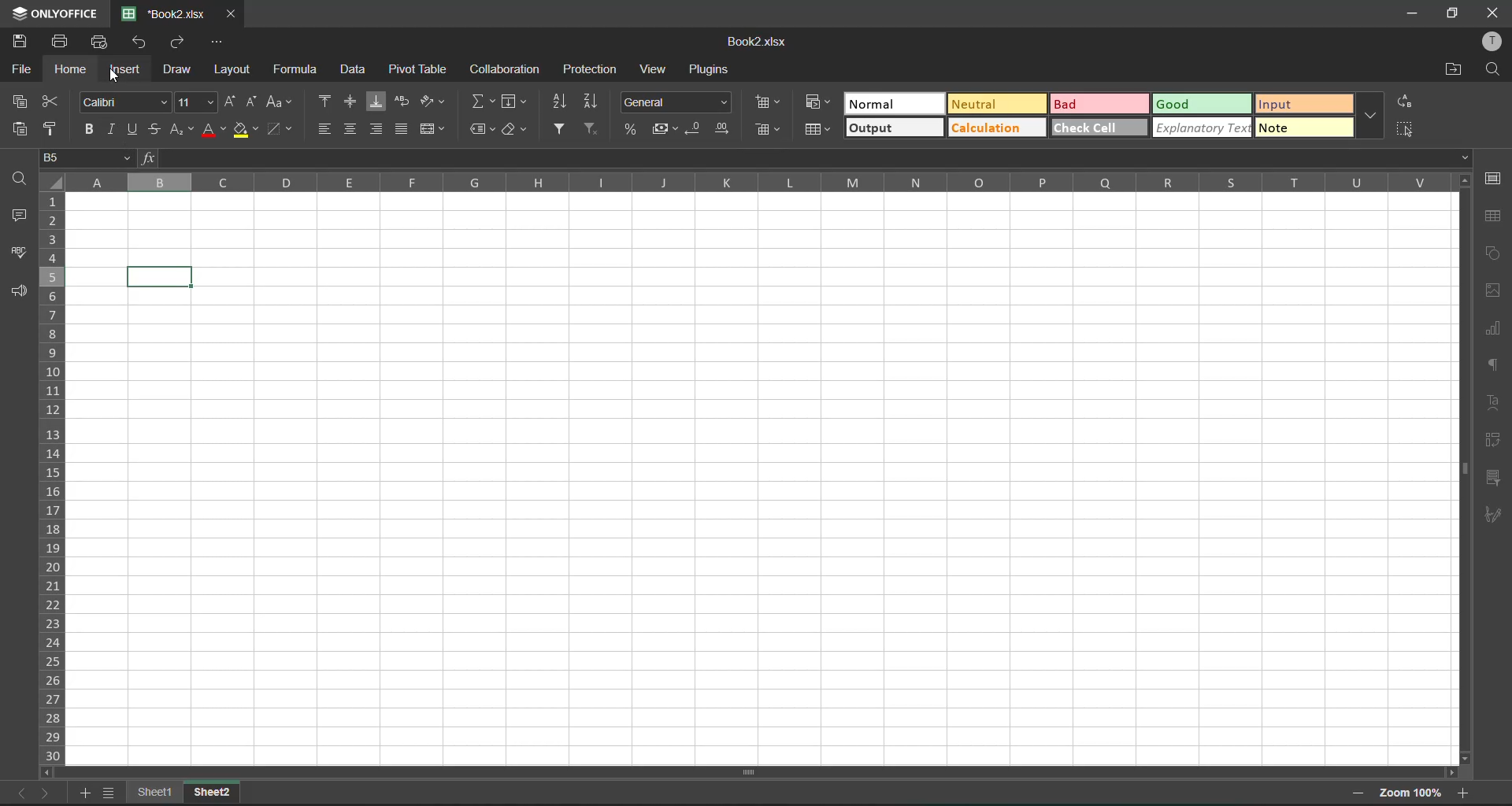 This screenshot has width=1512, height=806. I want to click on accounting, so click(665, 130).